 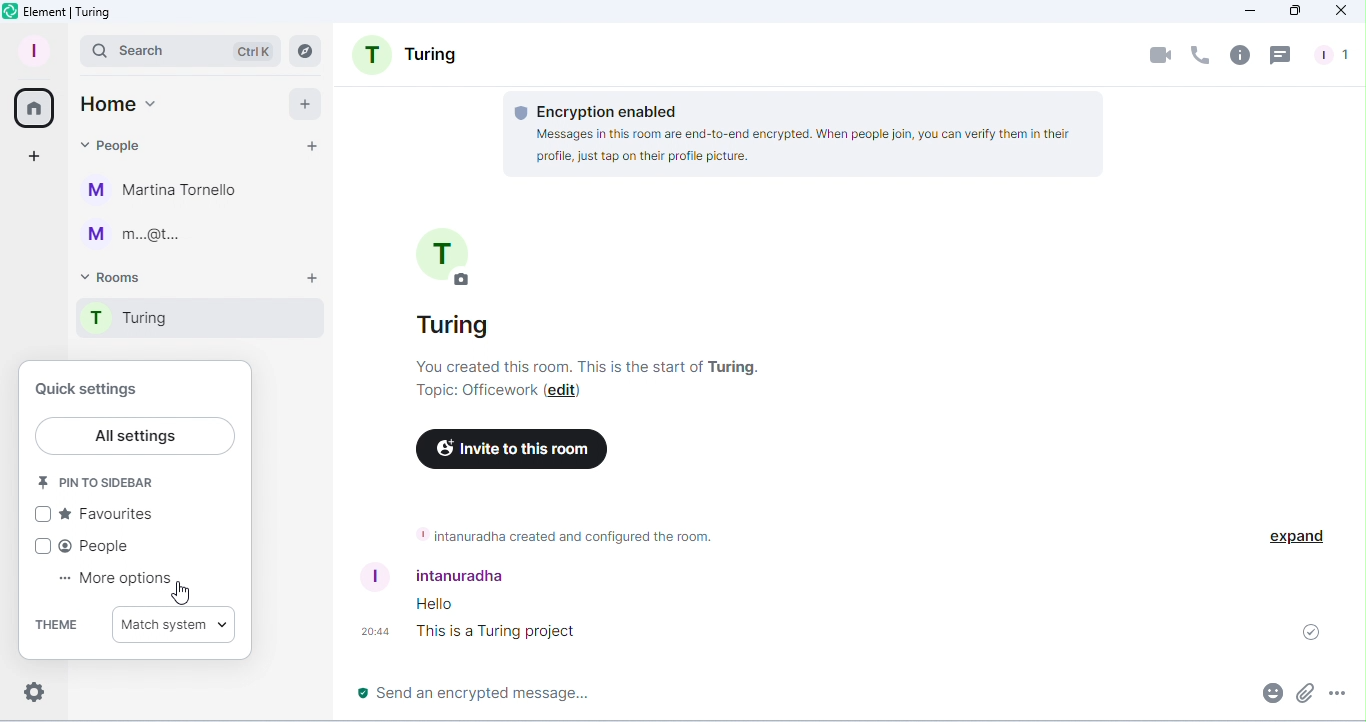 I want to click on Martina Tornello, so click(x=164, y=194).